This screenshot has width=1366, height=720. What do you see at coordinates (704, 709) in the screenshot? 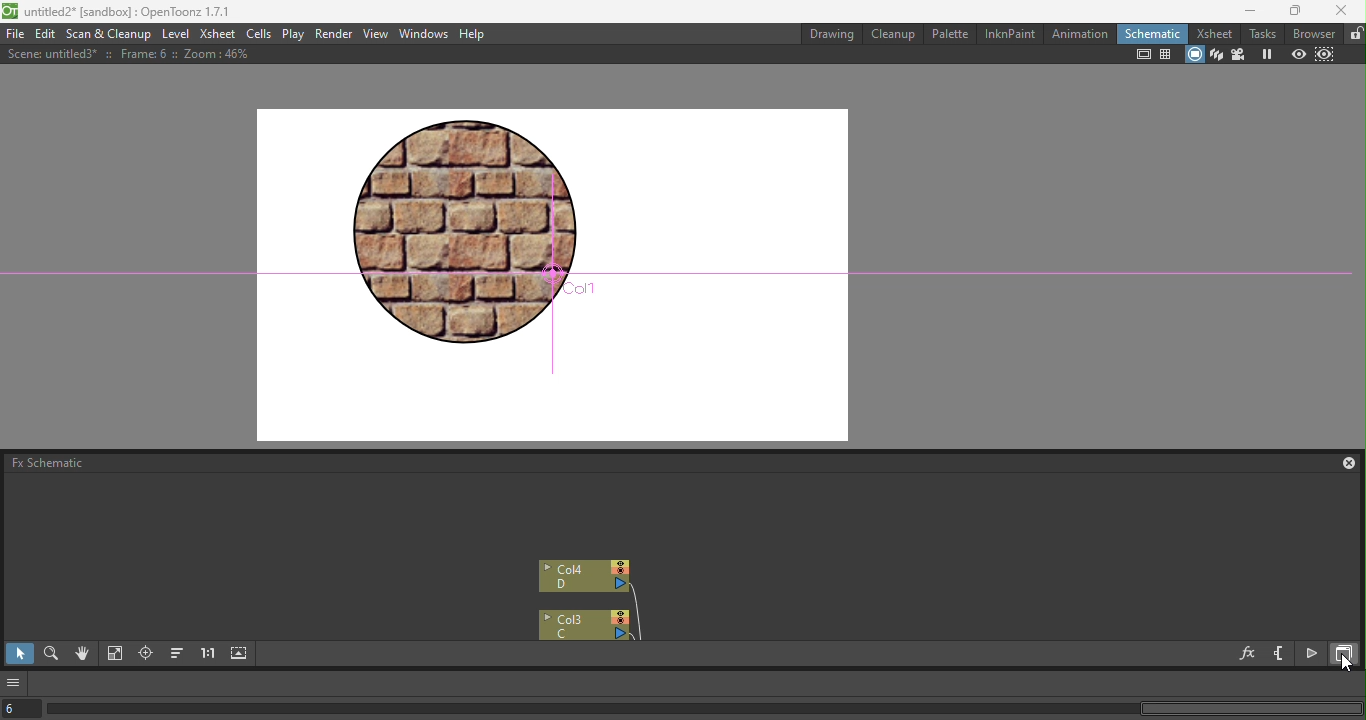
I see `Horizontal scroll bar` at bounding box center [704, 709].